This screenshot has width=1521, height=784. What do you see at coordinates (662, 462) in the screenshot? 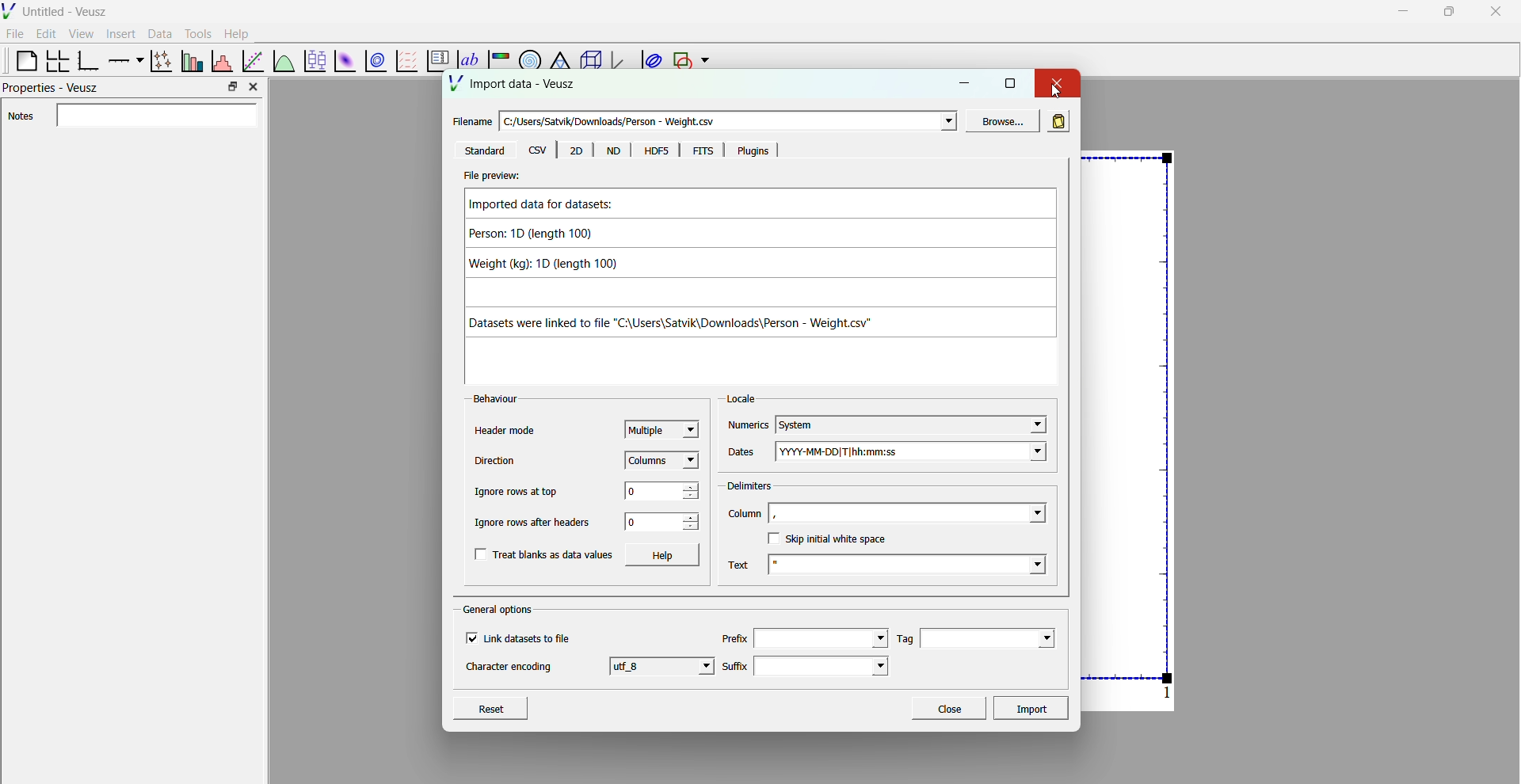
I see `Columns - dropdown` at bounding box center [662, 462].